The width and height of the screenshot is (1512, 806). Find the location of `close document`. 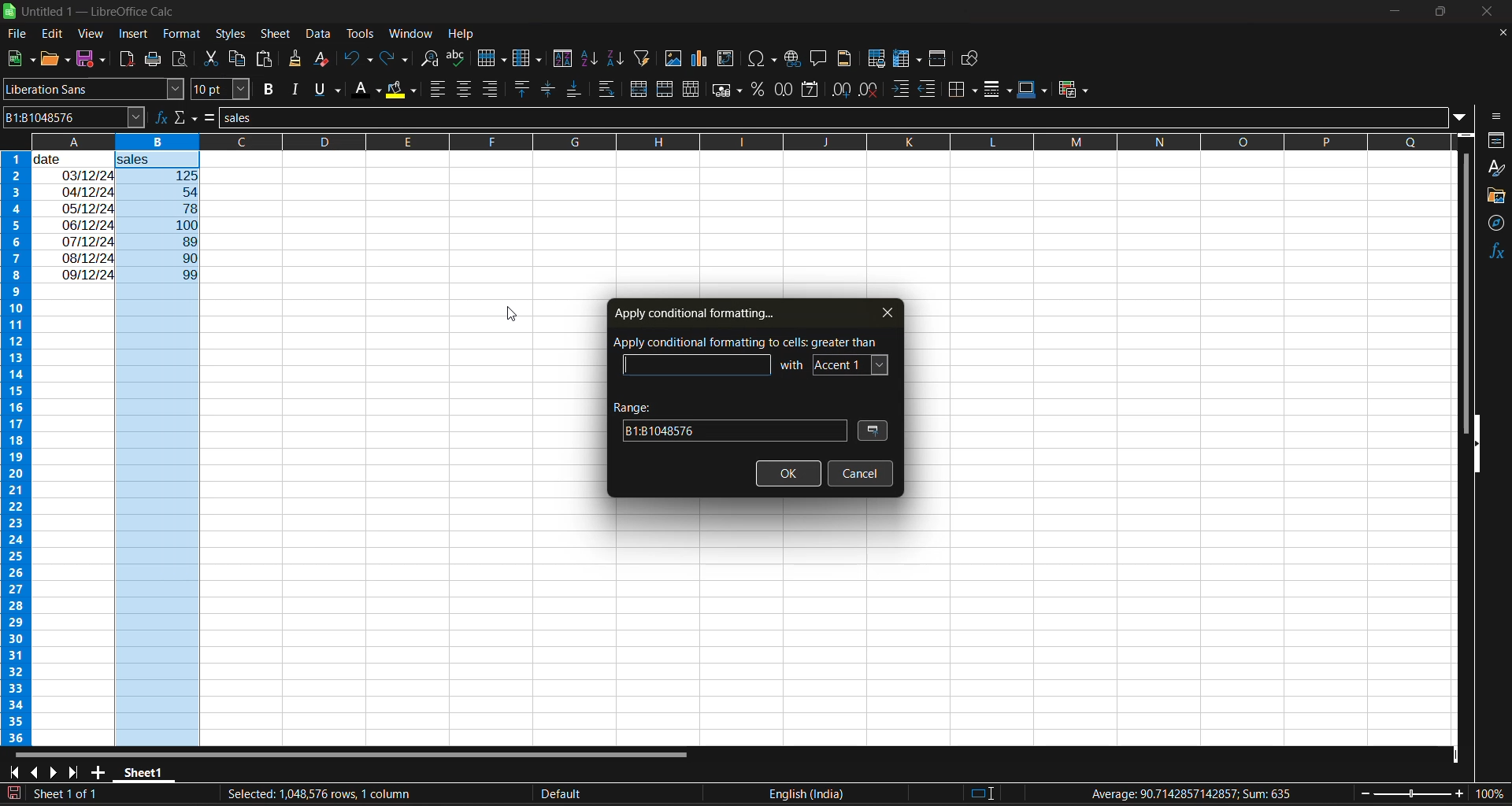

close document is located at coordinates (1499, 33).